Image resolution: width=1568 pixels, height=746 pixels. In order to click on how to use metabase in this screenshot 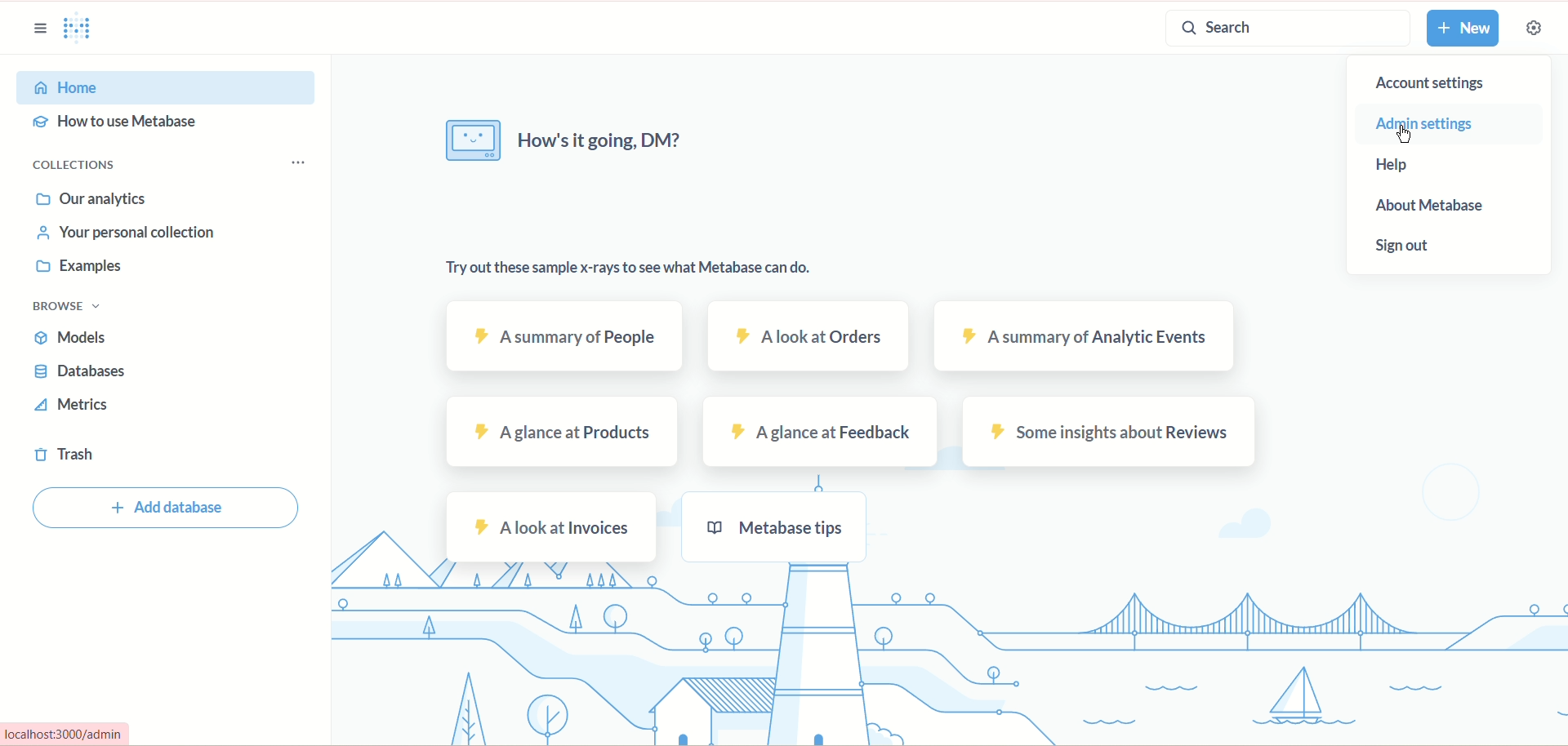, I will do `click(119, 122)`.